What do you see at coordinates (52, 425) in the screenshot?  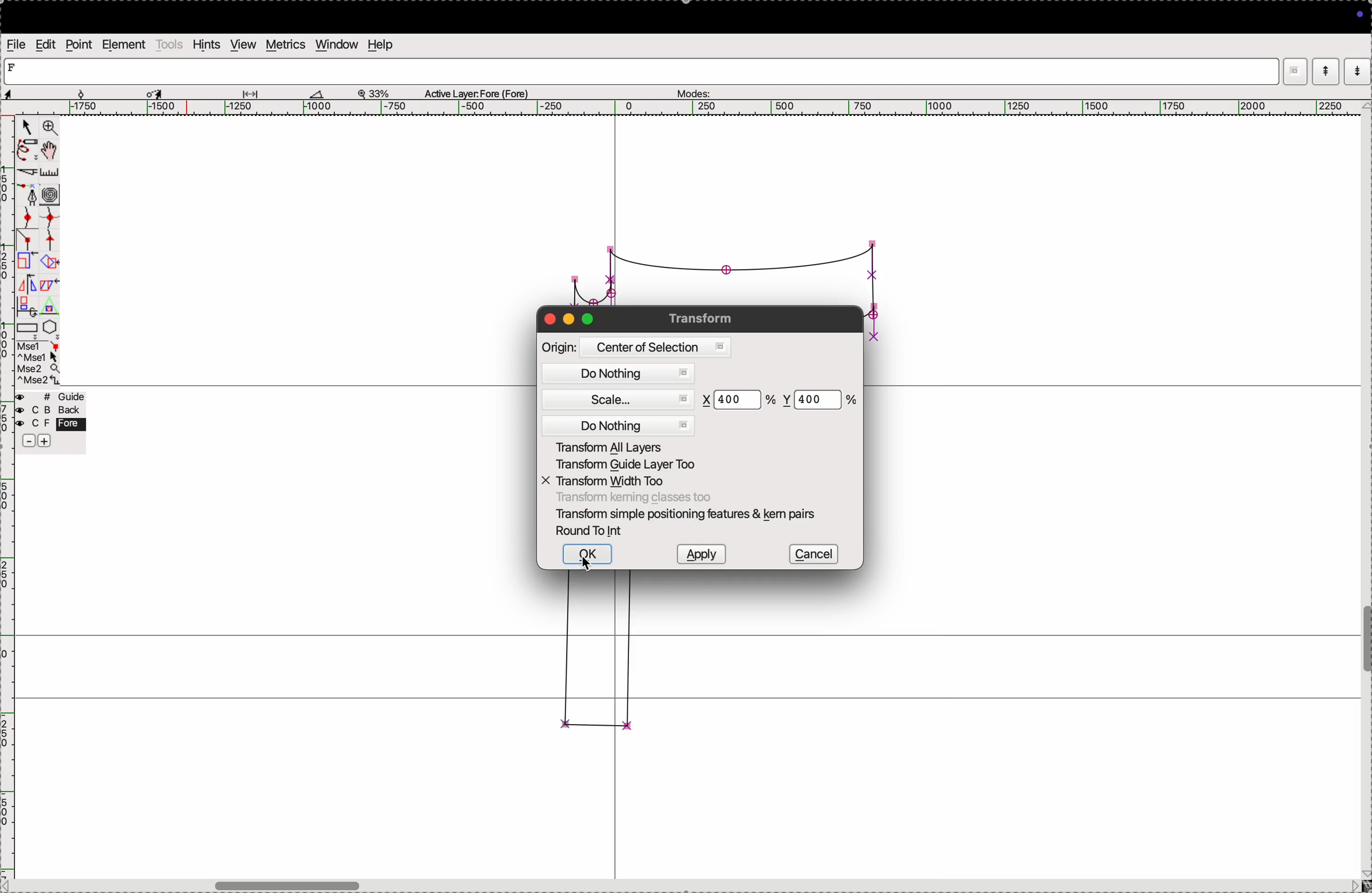 I see `fore` at bounding box center [52, 425].